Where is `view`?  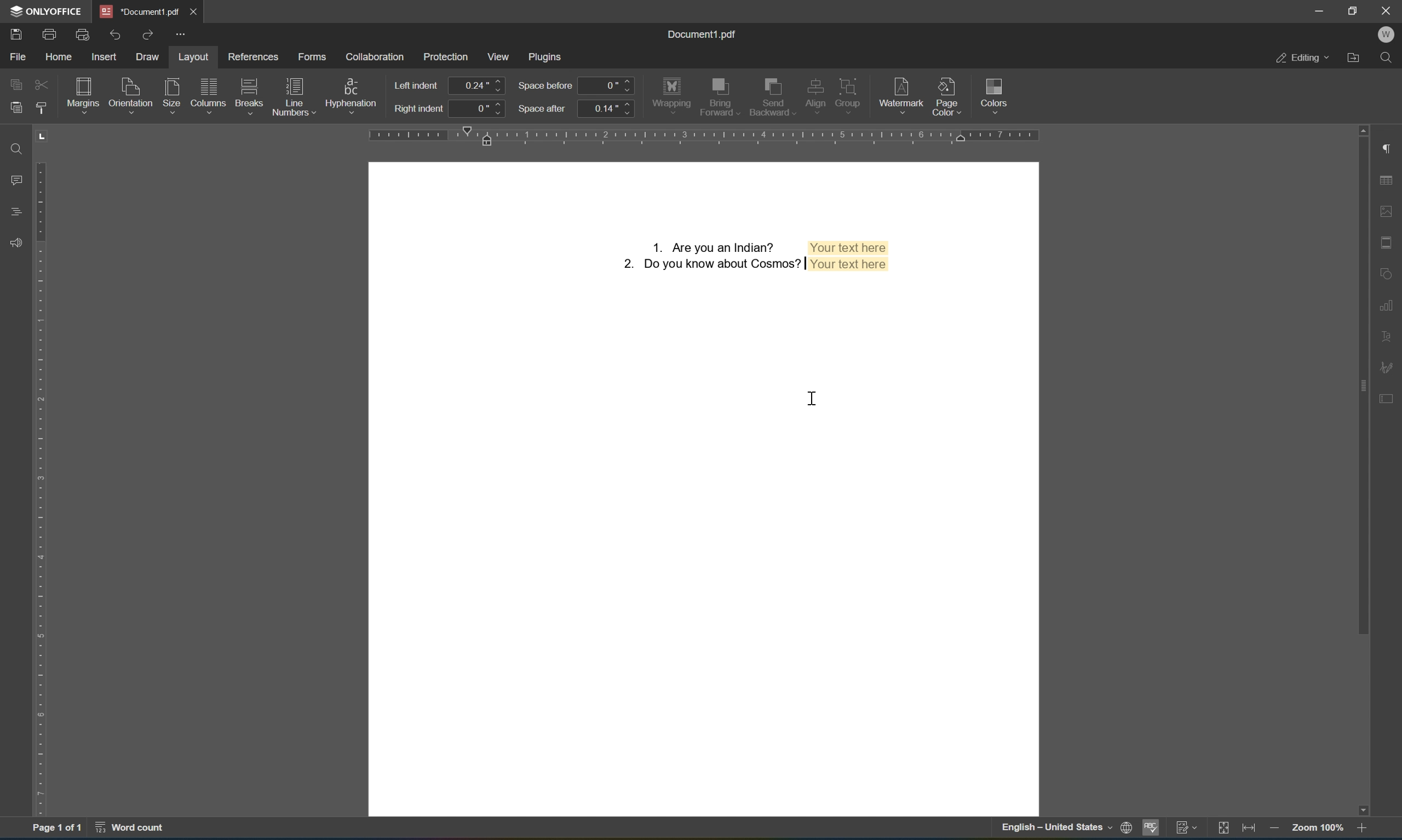 view is located at coordinates (500, 58).